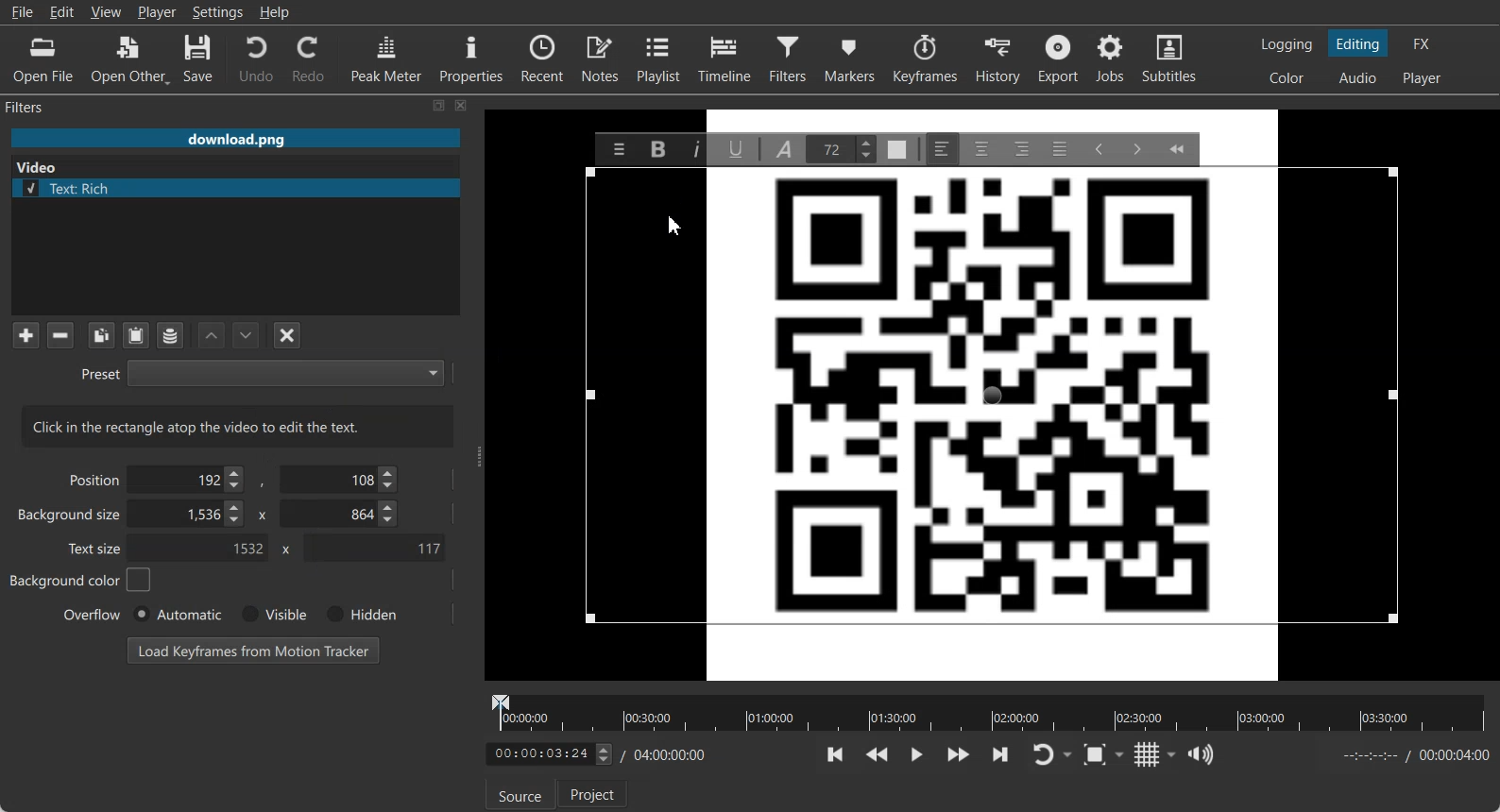  What do you see at coordinates (1287, 44) in the screenshot?
I see `Switching to the logging layout` at bounding box center [1287, 44].